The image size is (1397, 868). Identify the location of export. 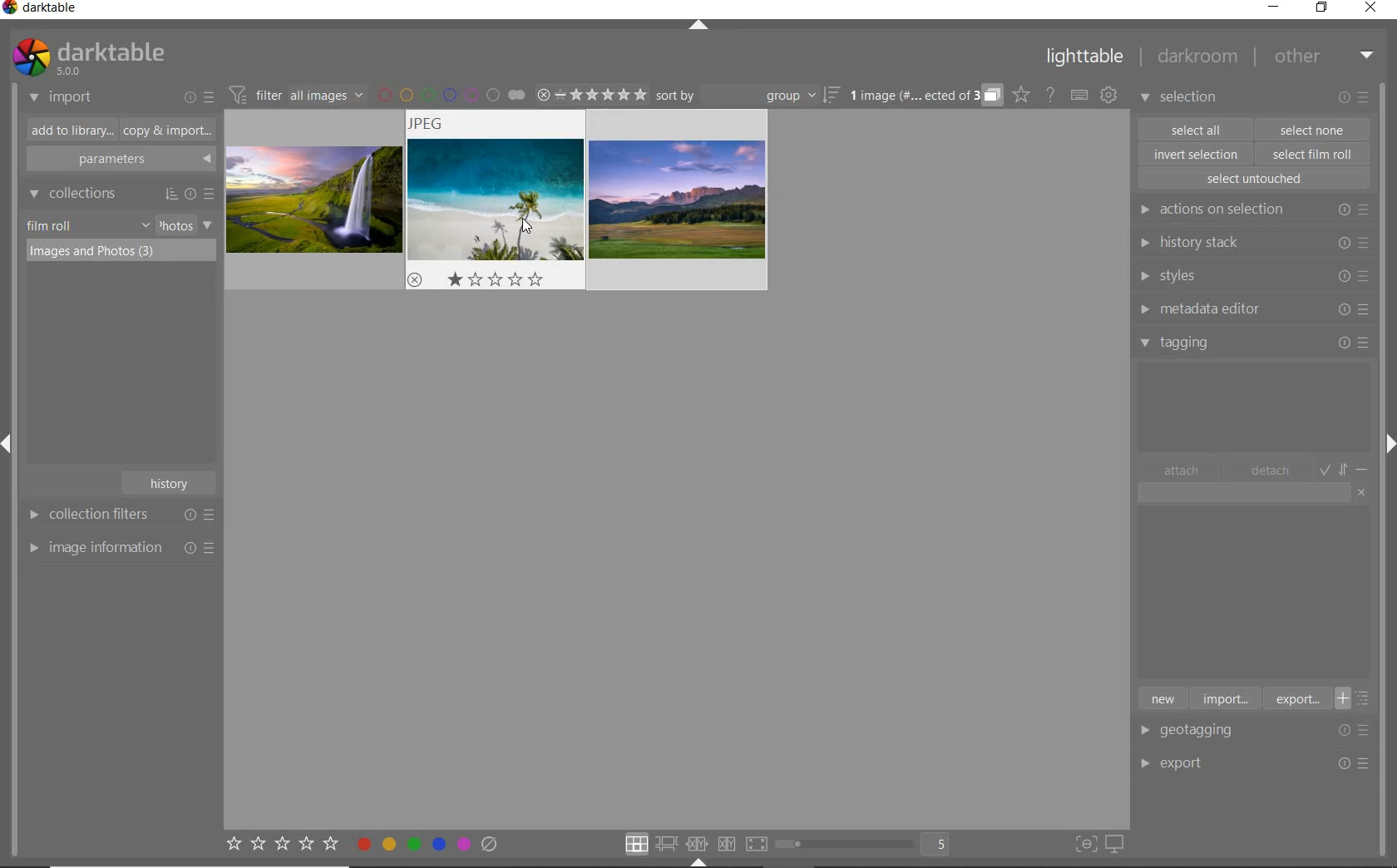
(1296, 698).